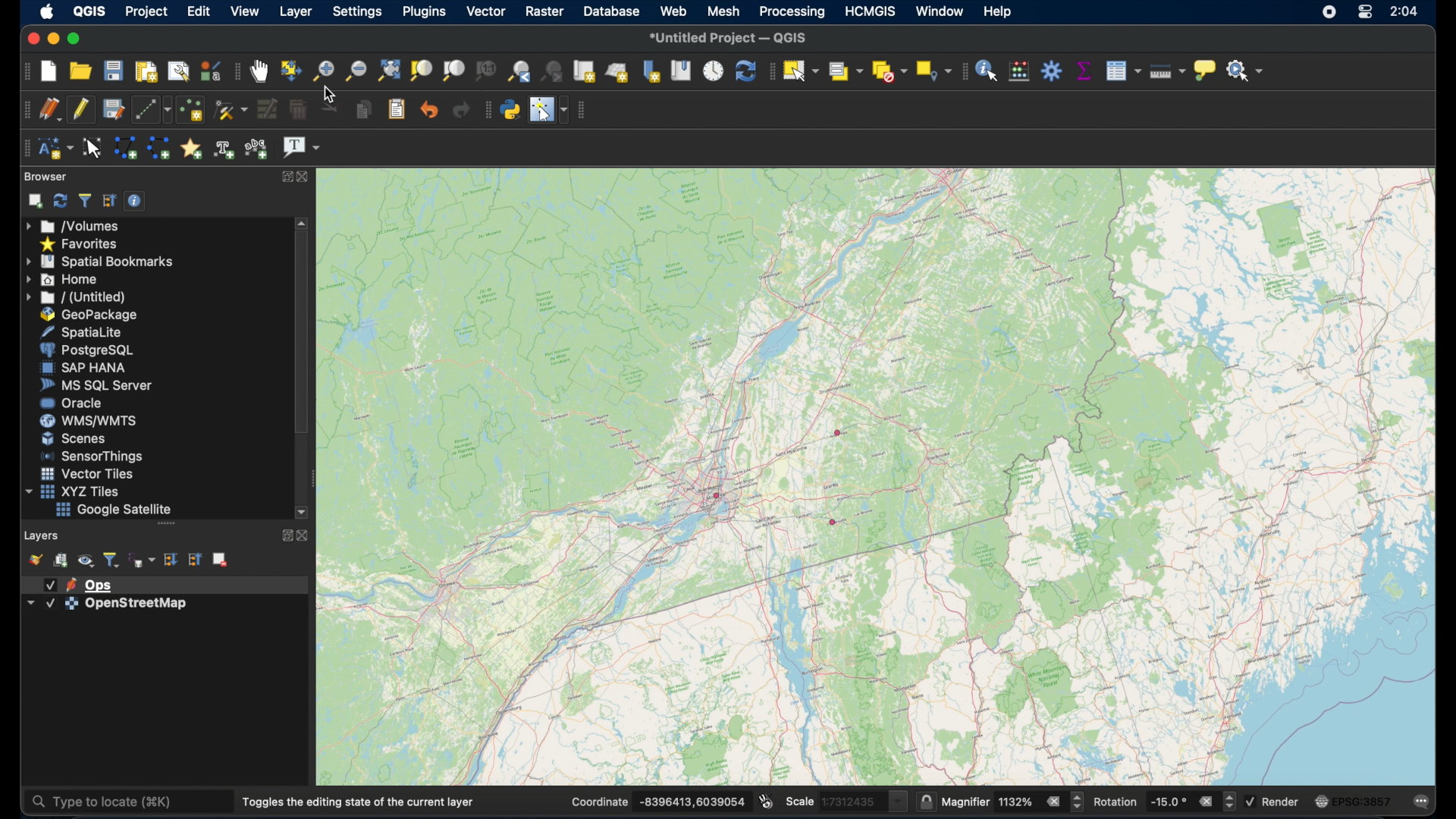 This screenshot has height=819, width=1456. Describe the element at coordinates (260, 71) in the screenshot. I see `pan map` at that location.